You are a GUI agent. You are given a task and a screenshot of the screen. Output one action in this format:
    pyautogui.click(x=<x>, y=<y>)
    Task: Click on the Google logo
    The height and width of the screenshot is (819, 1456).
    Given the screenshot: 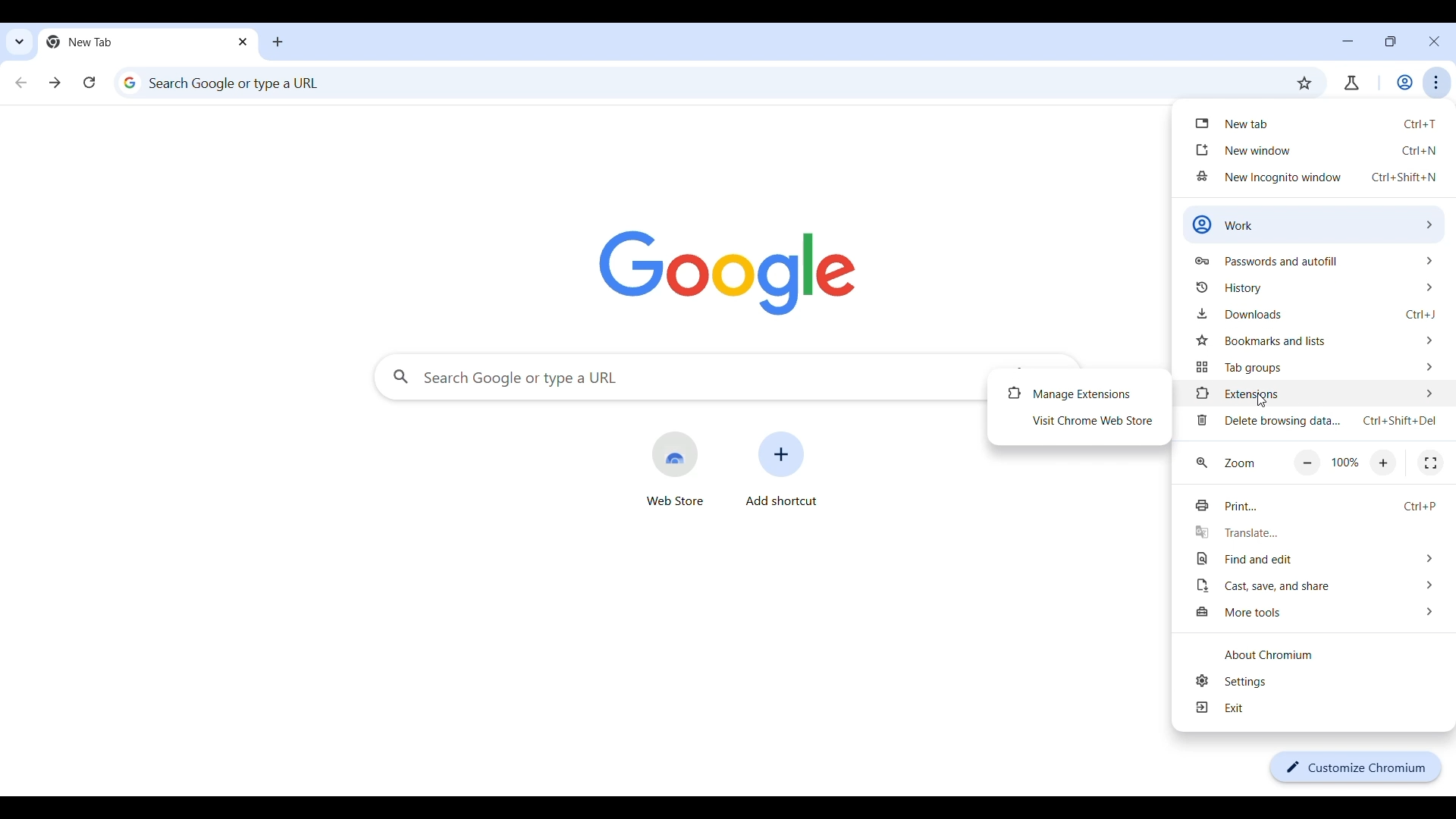 What is the action you would take?
    pyautogui.click(x=727, y=274)
    